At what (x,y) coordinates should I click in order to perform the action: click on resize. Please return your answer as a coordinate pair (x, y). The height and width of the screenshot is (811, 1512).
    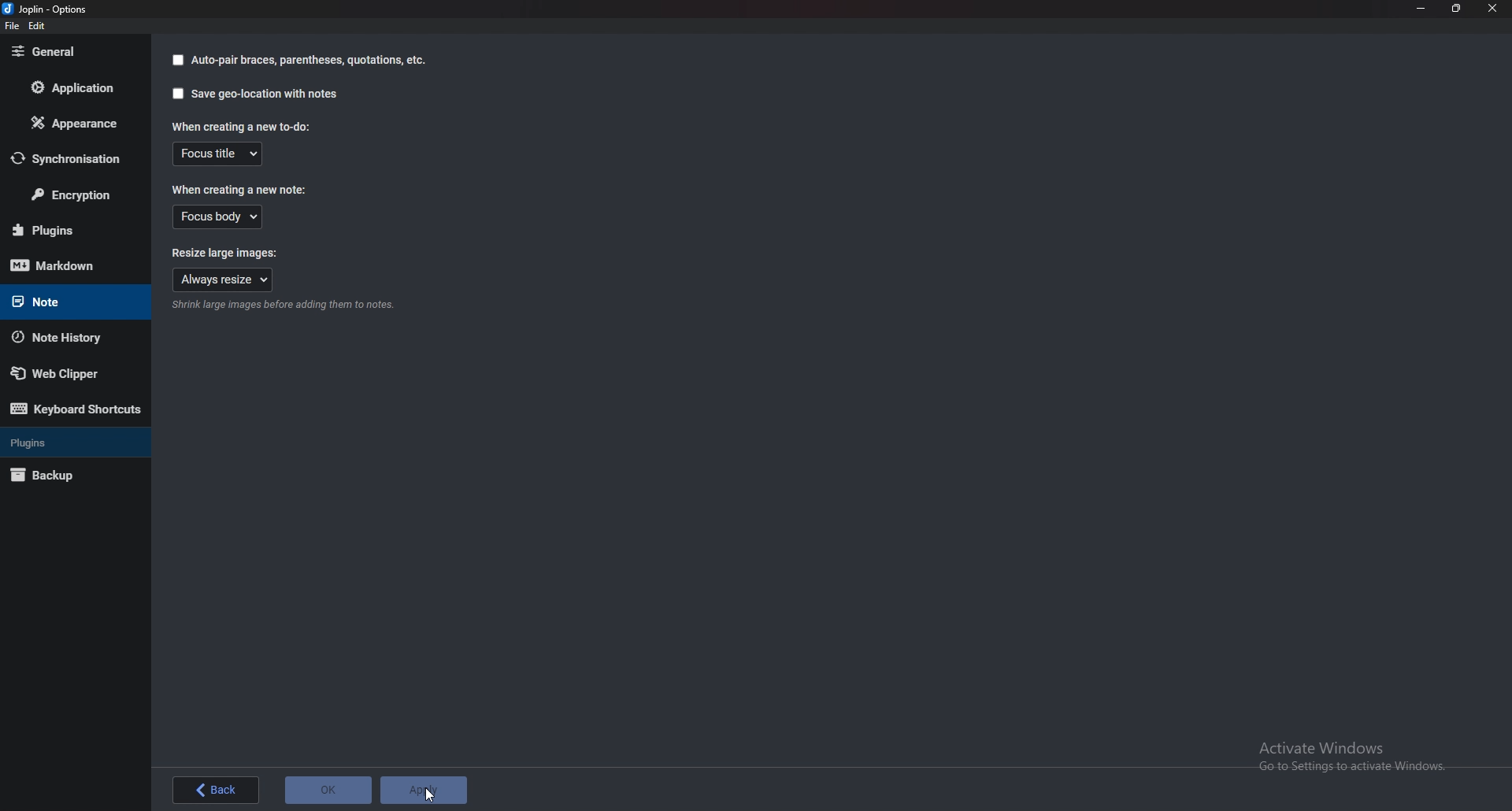
    Looking at the image, I should click on (1457, 8).